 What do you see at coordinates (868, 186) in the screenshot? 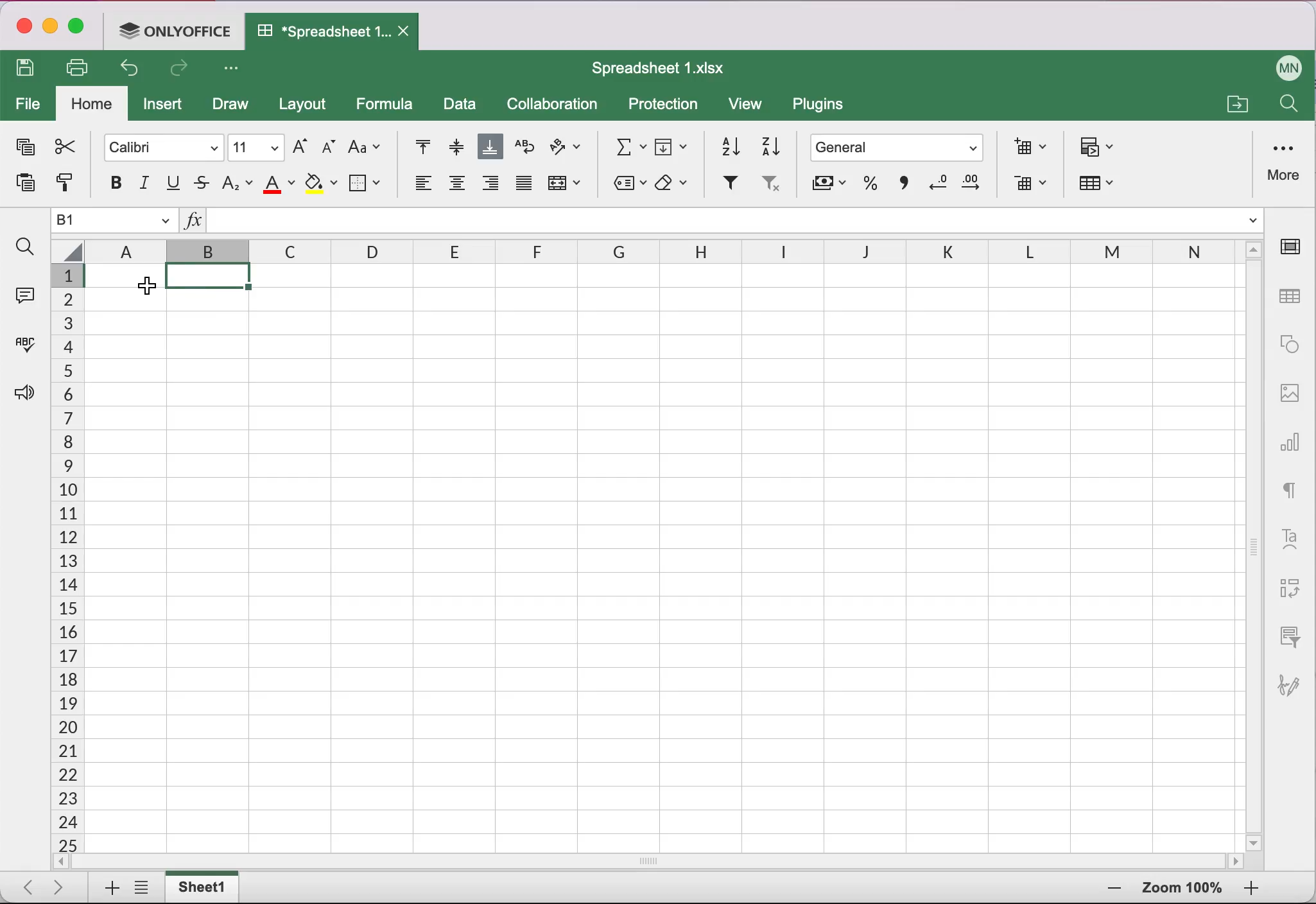
I see `percent syle` at bounding box center [868, 186].